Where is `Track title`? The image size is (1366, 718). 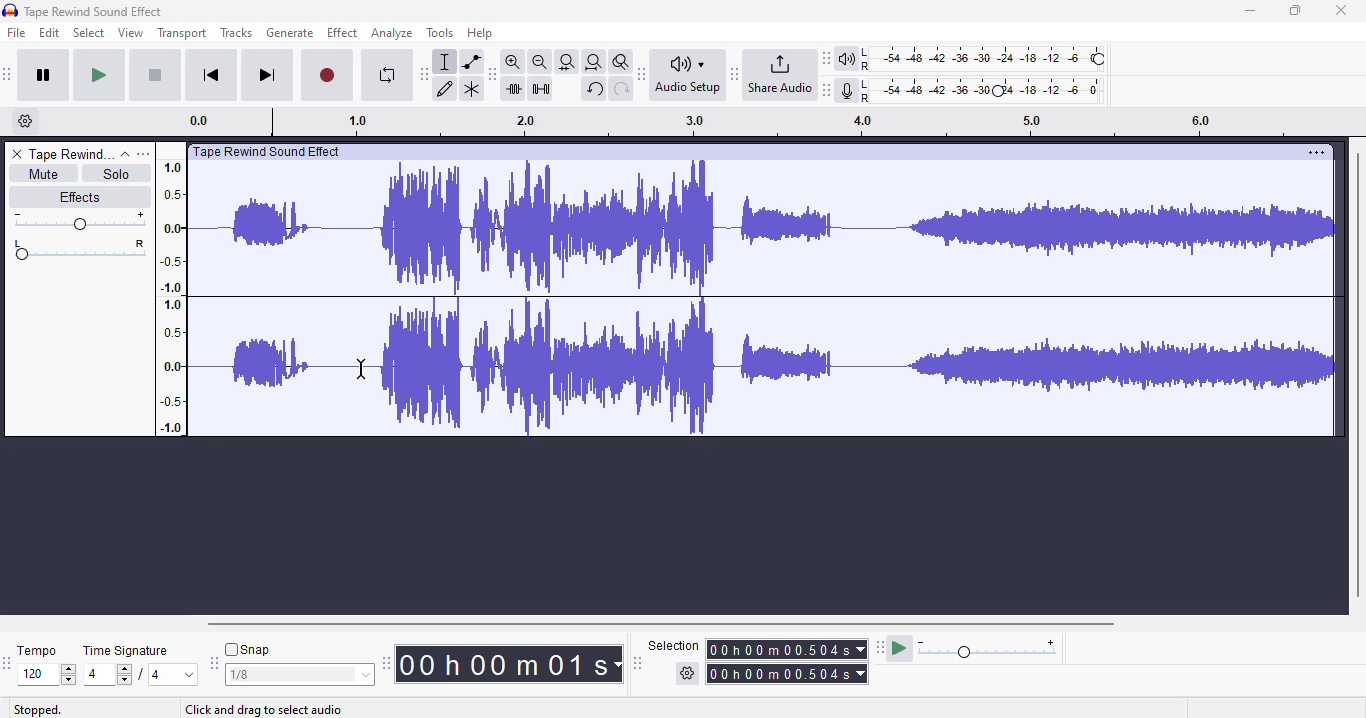
Track title is located at coordinates (271, 153).